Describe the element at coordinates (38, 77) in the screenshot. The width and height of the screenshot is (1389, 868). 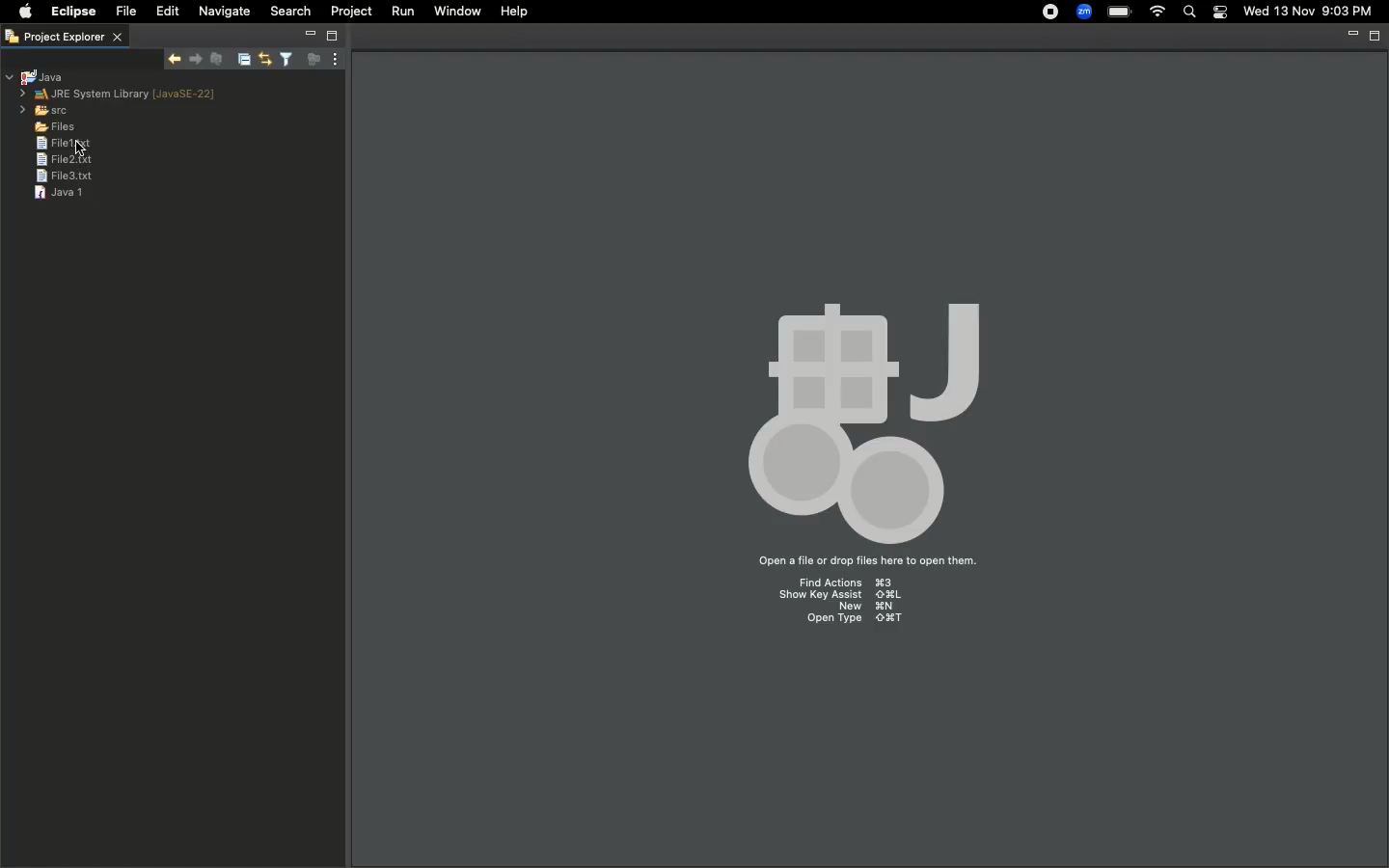
I see `Java` at that location.